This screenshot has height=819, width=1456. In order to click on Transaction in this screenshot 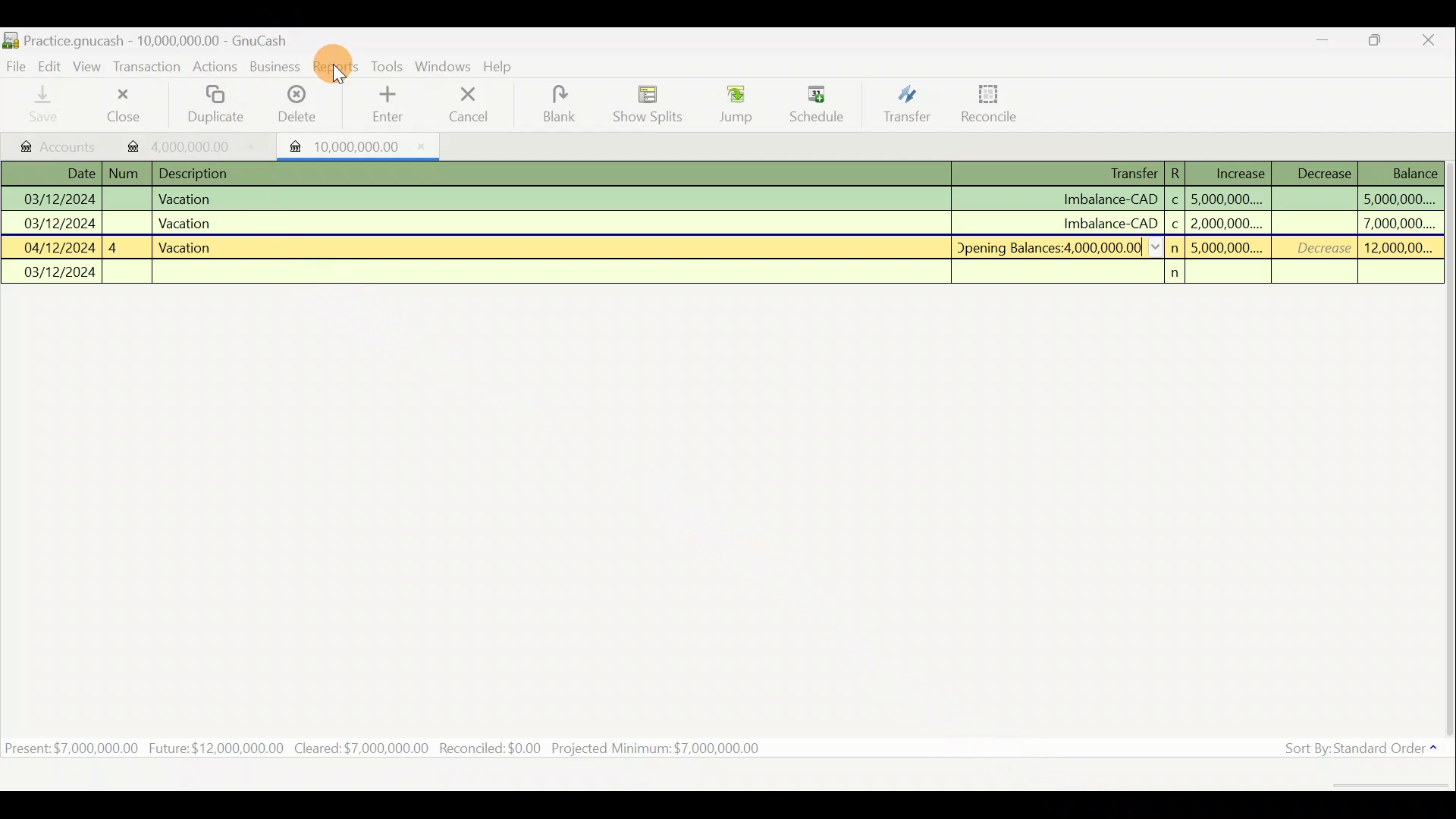, I will do `click(147, 68)`.